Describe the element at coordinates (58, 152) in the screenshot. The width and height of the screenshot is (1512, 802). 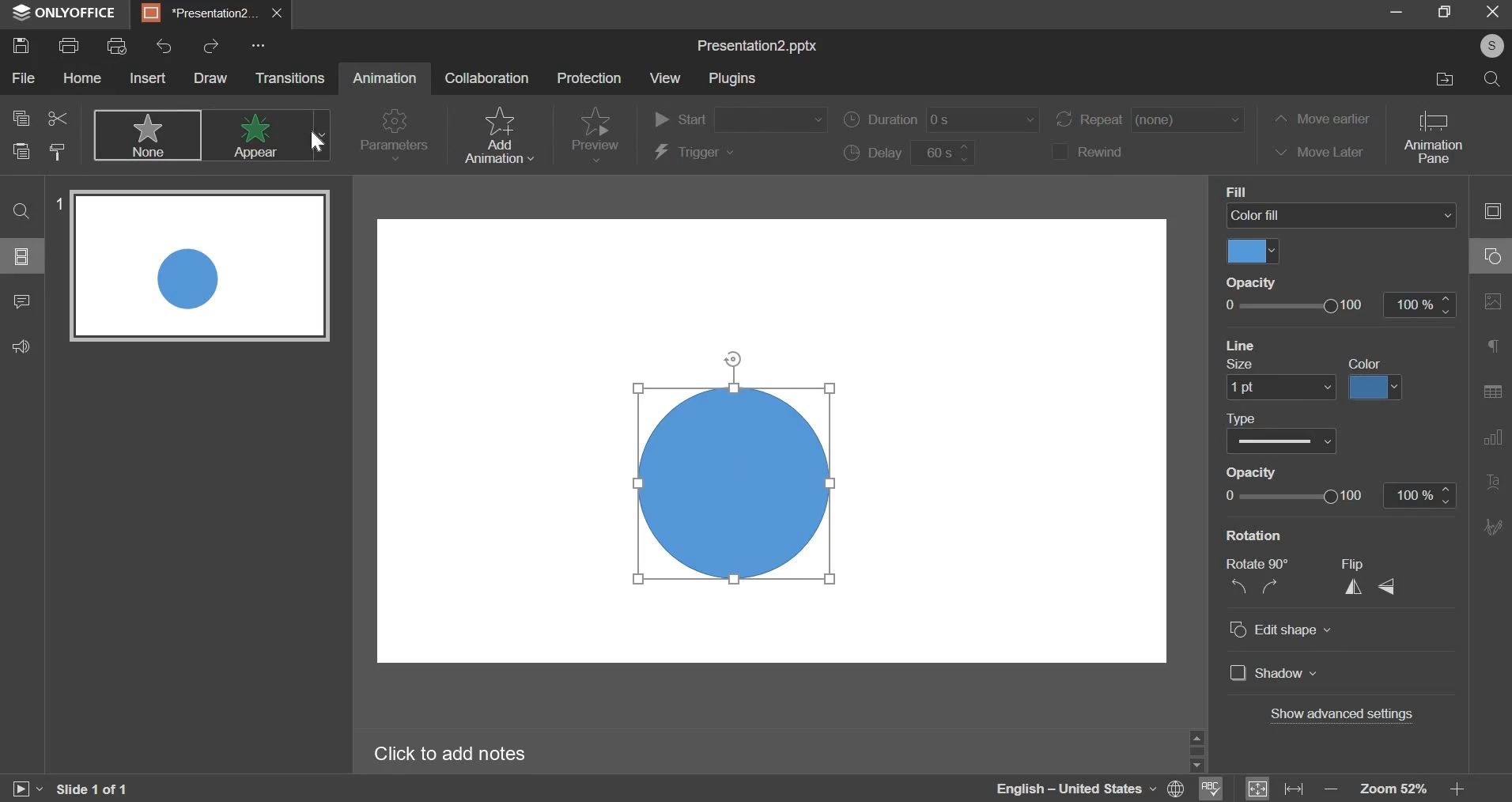
I see `copy slide` at that location.